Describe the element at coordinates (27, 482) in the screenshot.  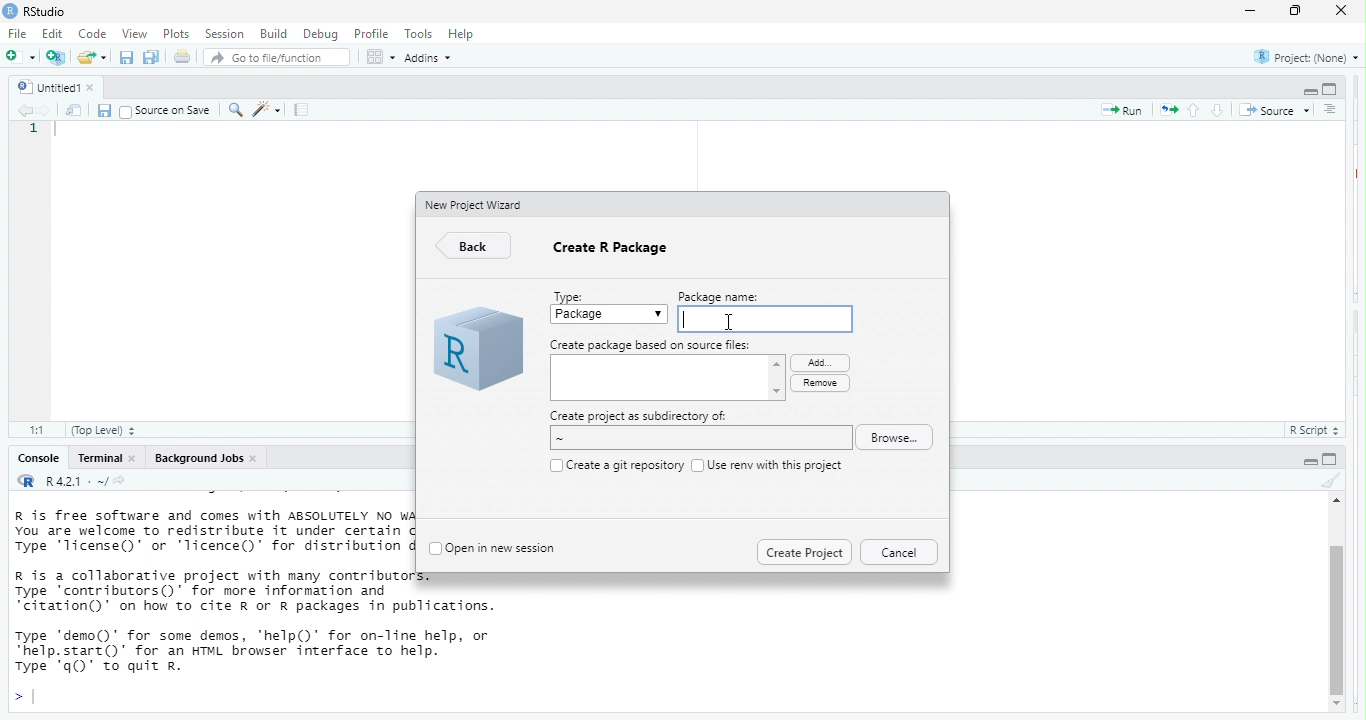
I see `r studio logo` at that location.